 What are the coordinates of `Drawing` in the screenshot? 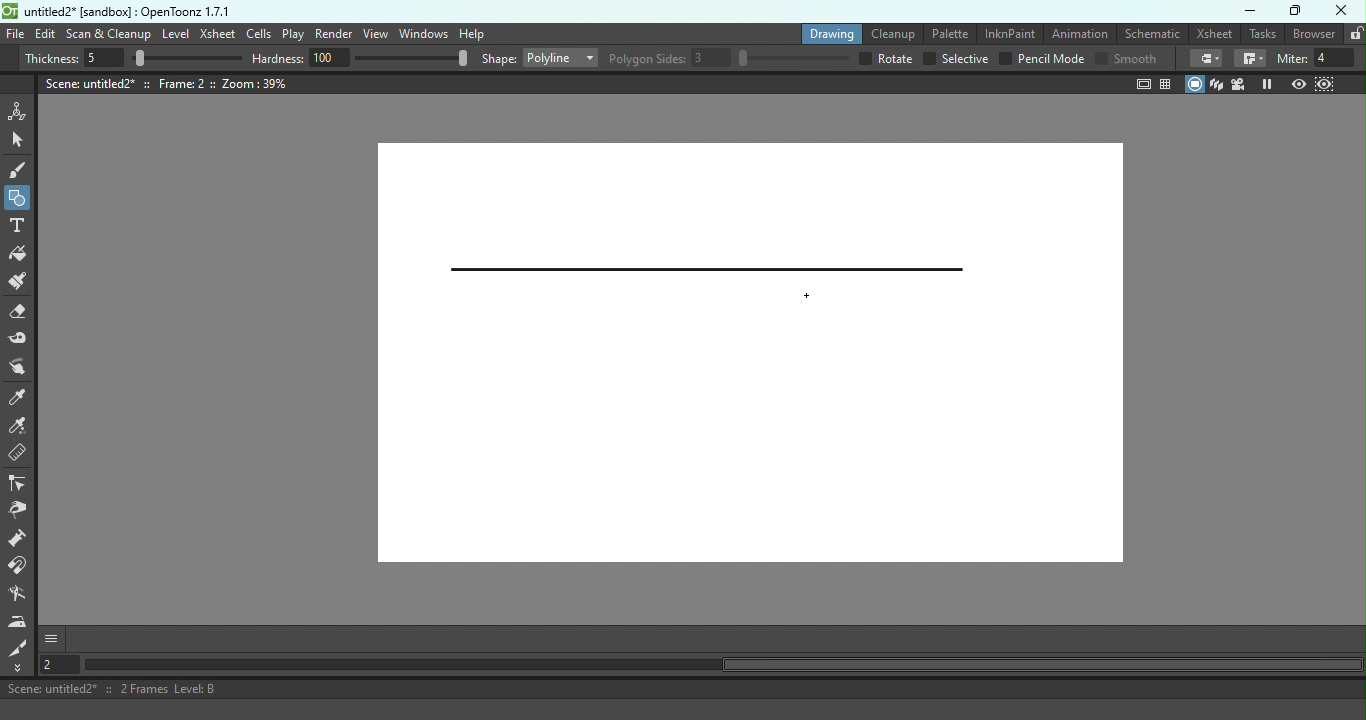 It's located at (828, 33).